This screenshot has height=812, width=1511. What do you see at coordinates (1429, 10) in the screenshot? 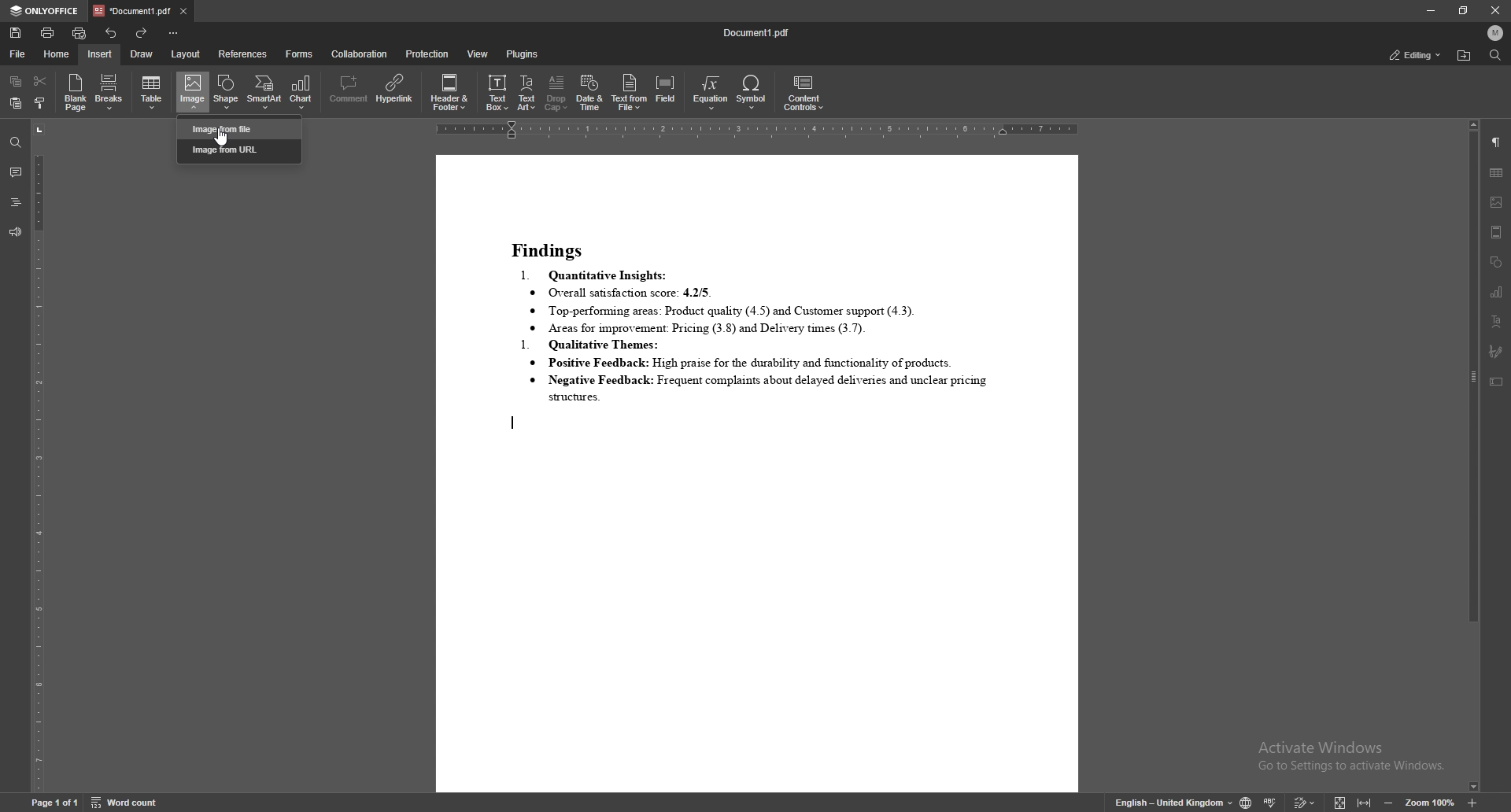
I see `minimize` at bounding box center [1429, 10].